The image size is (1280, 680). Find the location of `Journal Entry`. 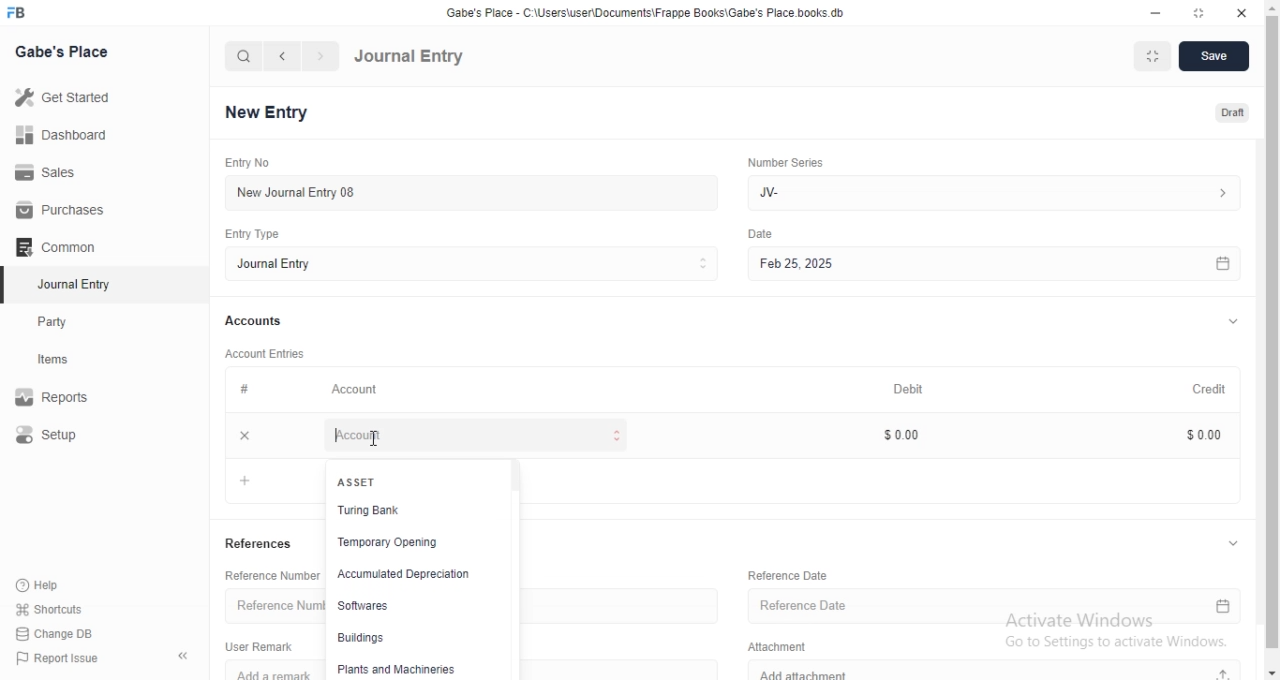

Journal Entry is located at coordinates (410, 57).